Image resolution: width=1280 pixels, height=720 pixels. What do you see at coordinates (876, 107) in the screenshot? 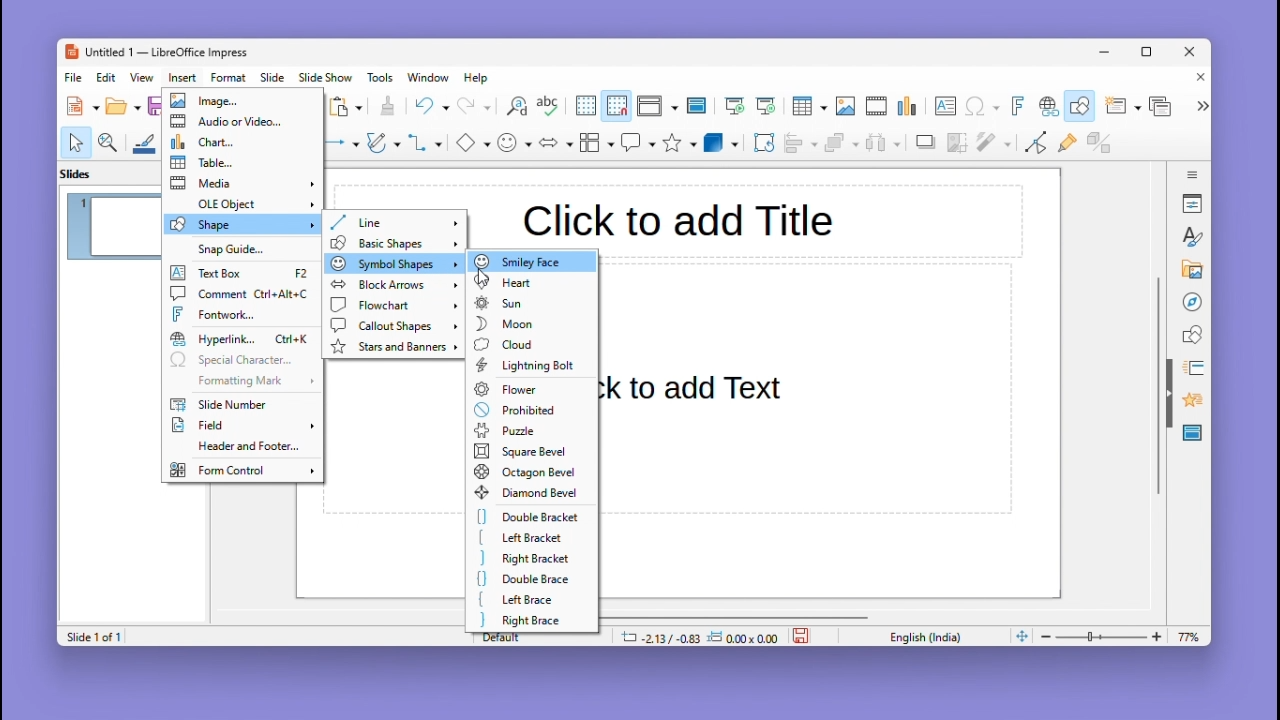
I see `Video` at bounding box center [876, 107].